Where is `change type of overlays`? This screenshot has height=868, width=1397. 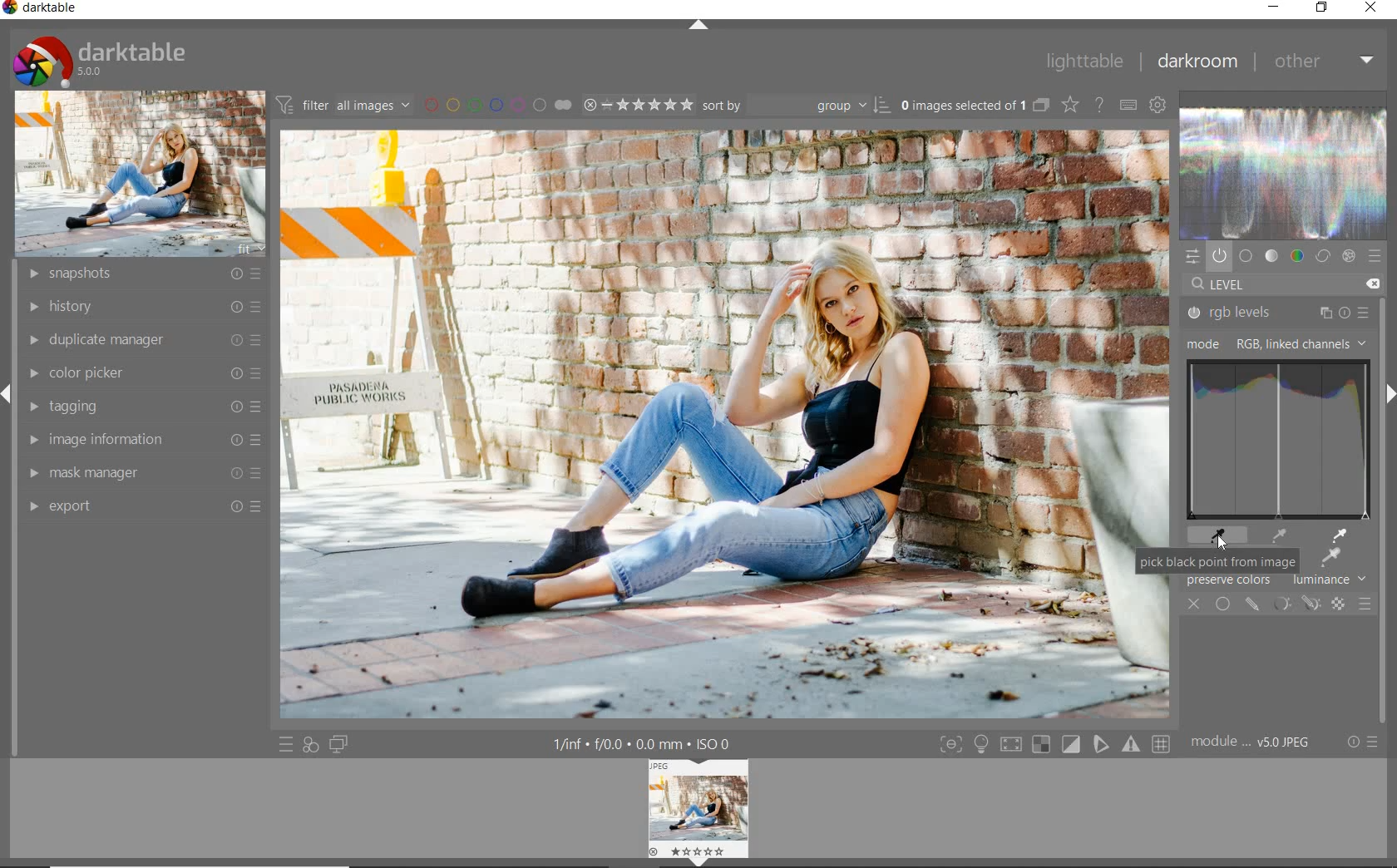 change type of overlays is located at coordinates (1069, 106).